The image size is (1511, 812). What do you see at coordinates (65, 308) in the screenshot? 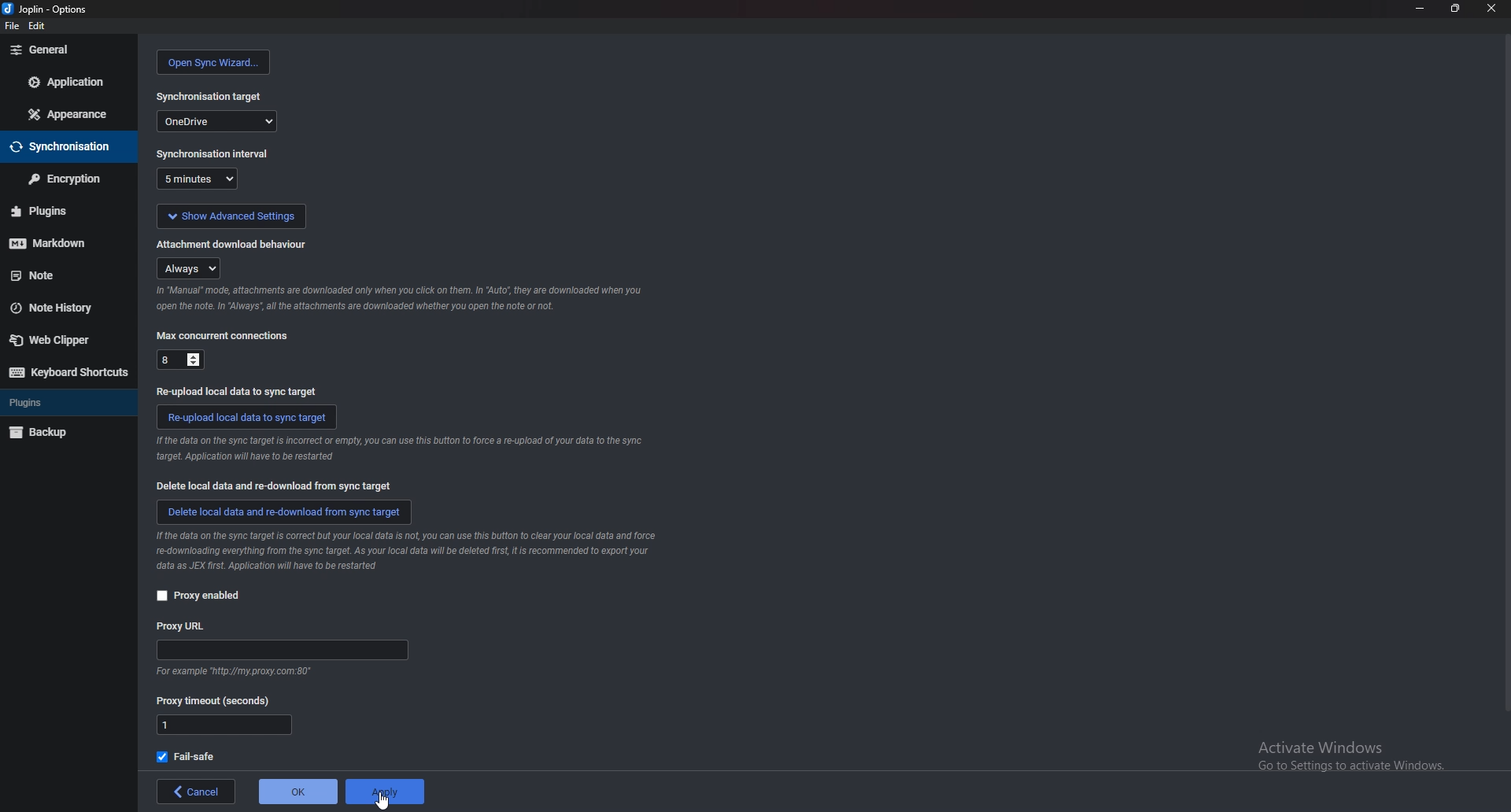
I see `notehistory` at bounding box center [65, 308].